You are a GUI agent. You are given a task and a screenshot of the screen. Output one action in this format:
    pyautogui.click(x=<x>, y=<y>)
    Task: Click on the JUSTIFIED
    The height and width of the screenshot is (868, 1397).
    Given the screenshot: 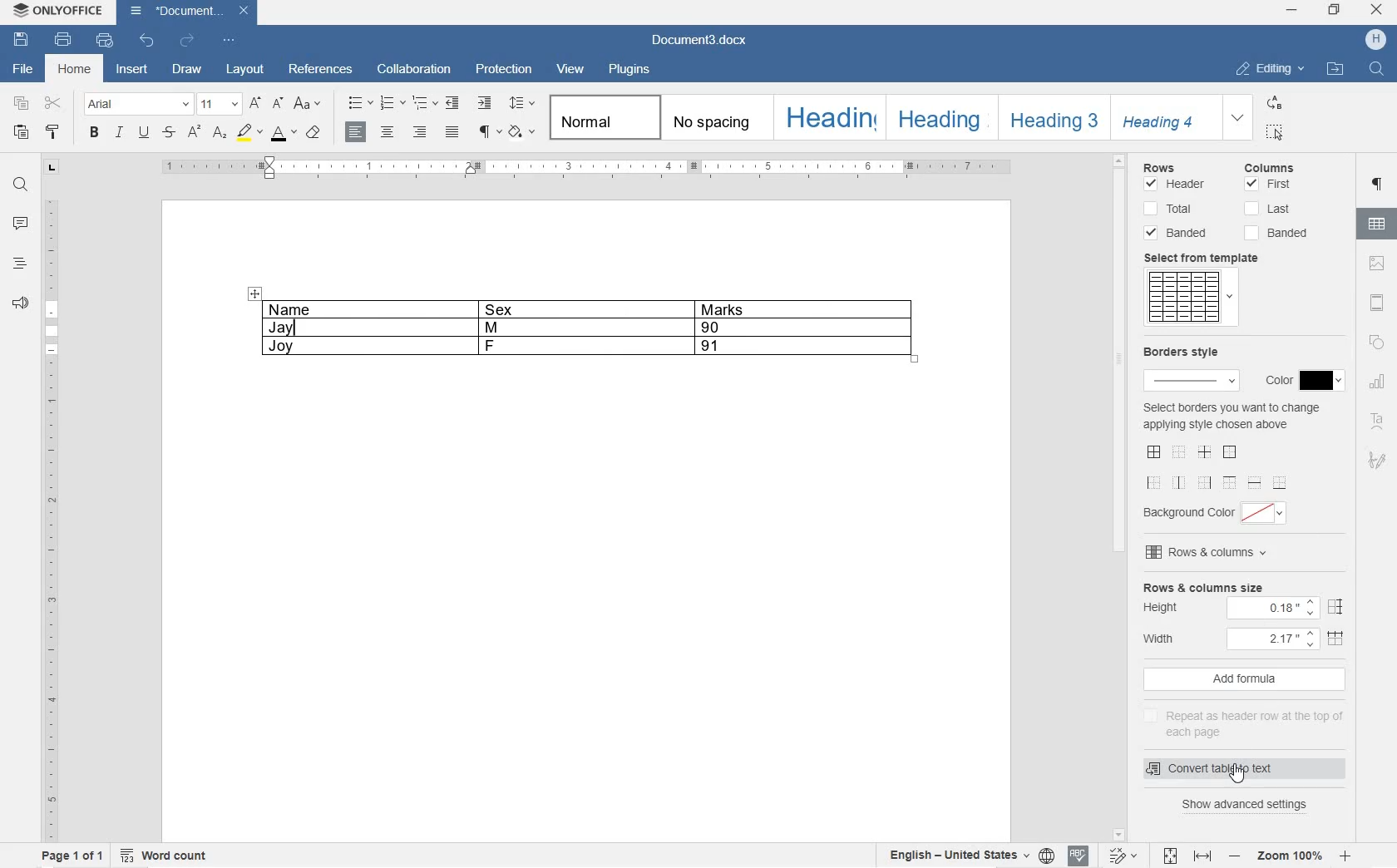 What is the action you would take?
    pyautogui.click(x=453, y=132)
    